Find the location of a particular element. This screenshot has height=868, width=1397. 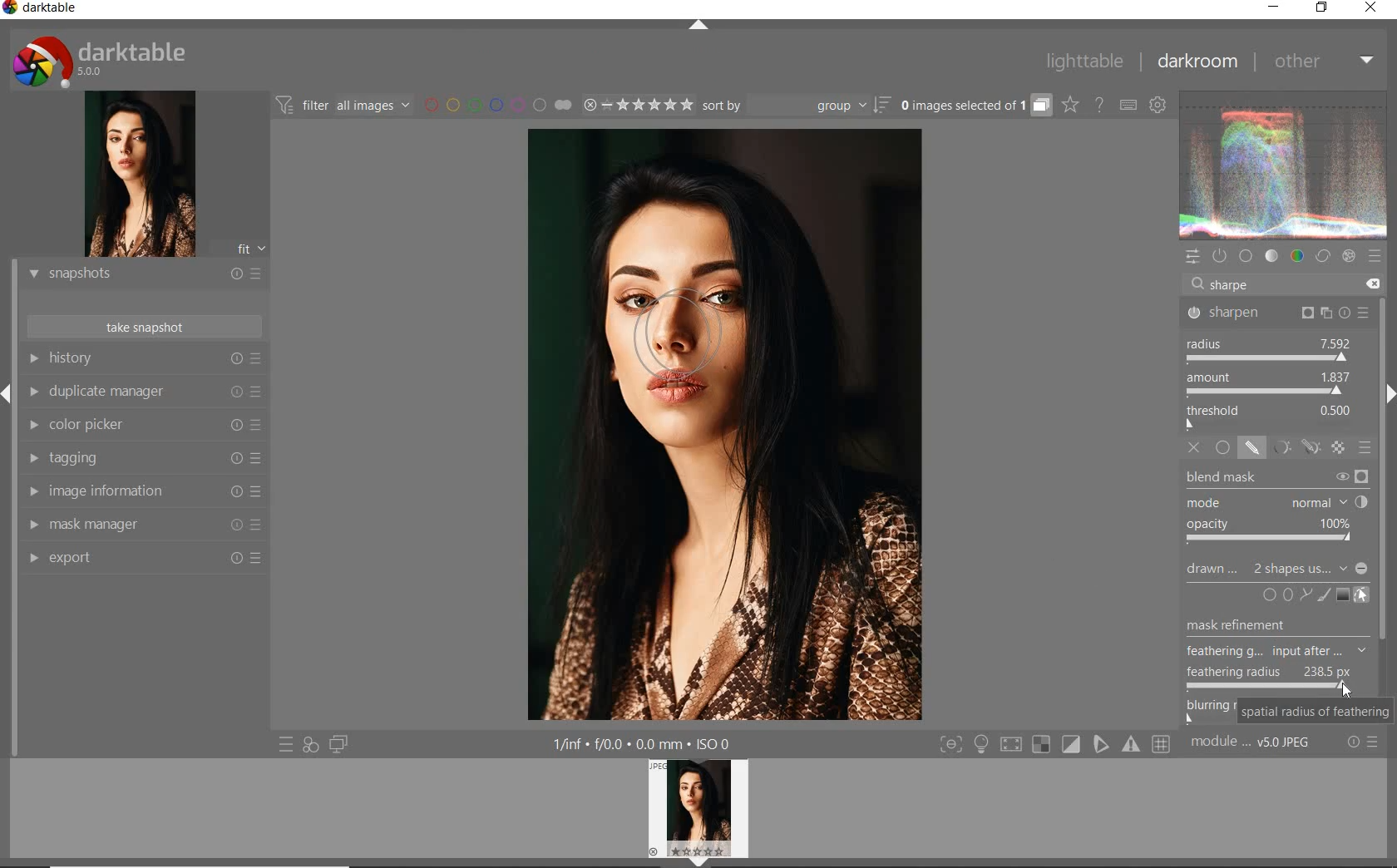

show global preferences is located at coordinates (1158, 105).